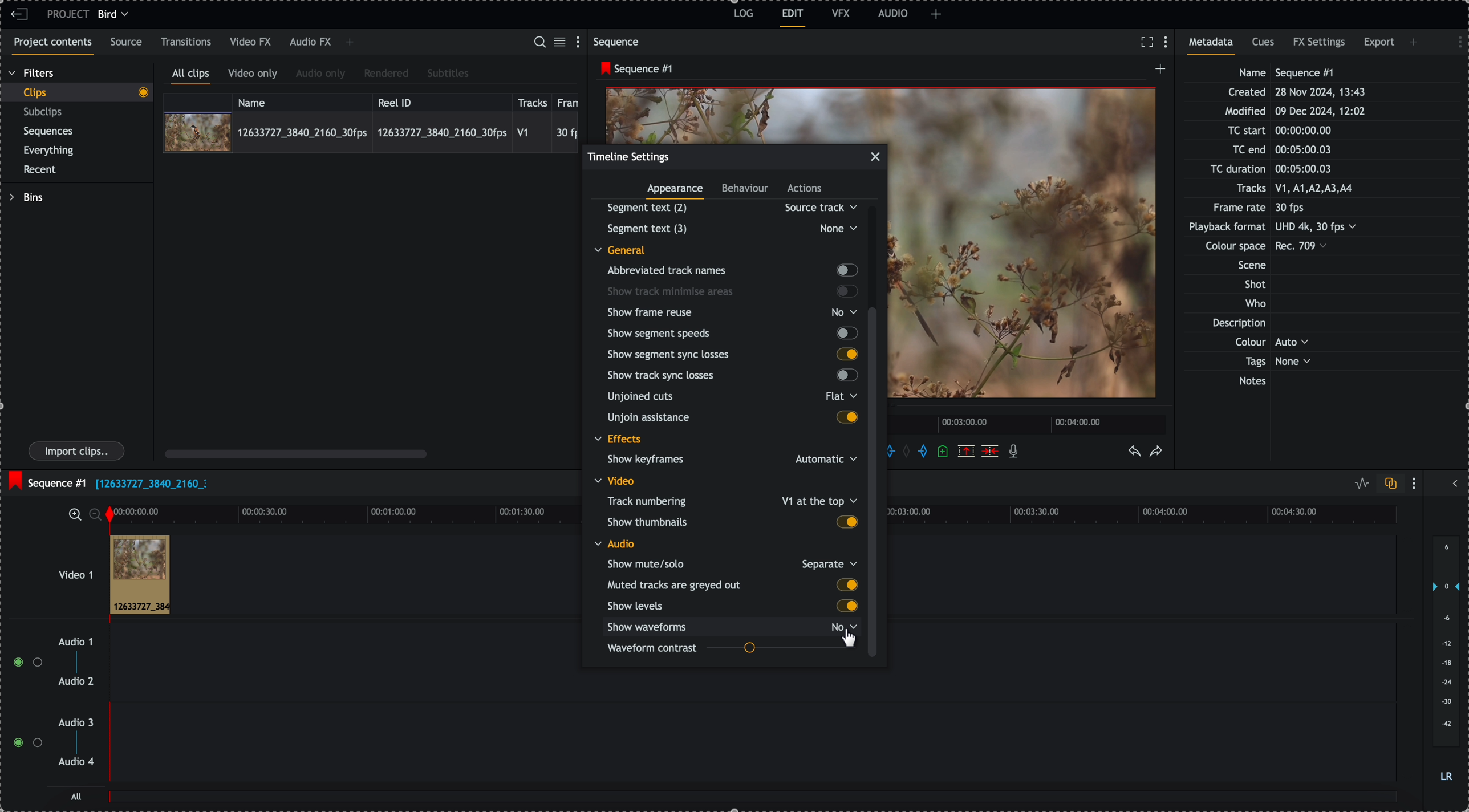  I want to click on actions, so click(805, 189).